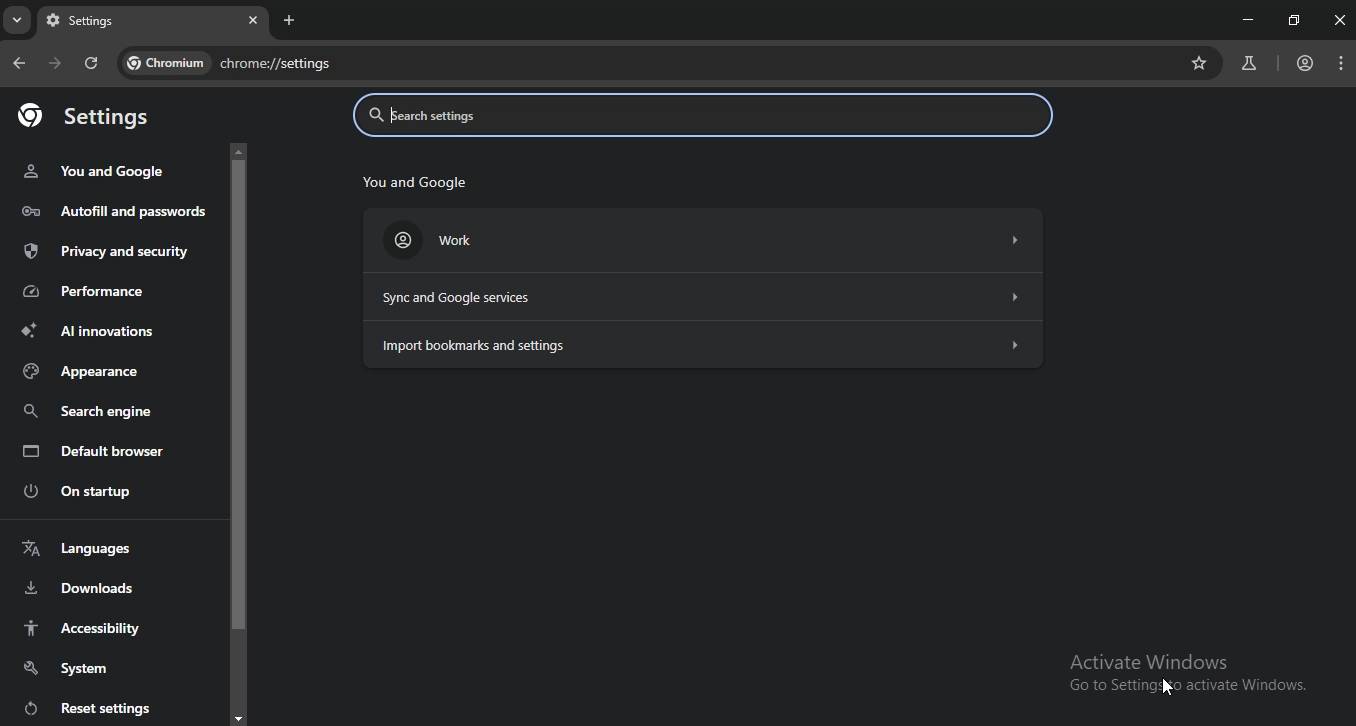 The height and width of the screenshot is (726, 1356). I want to click on cursor, so click(1170, 689).